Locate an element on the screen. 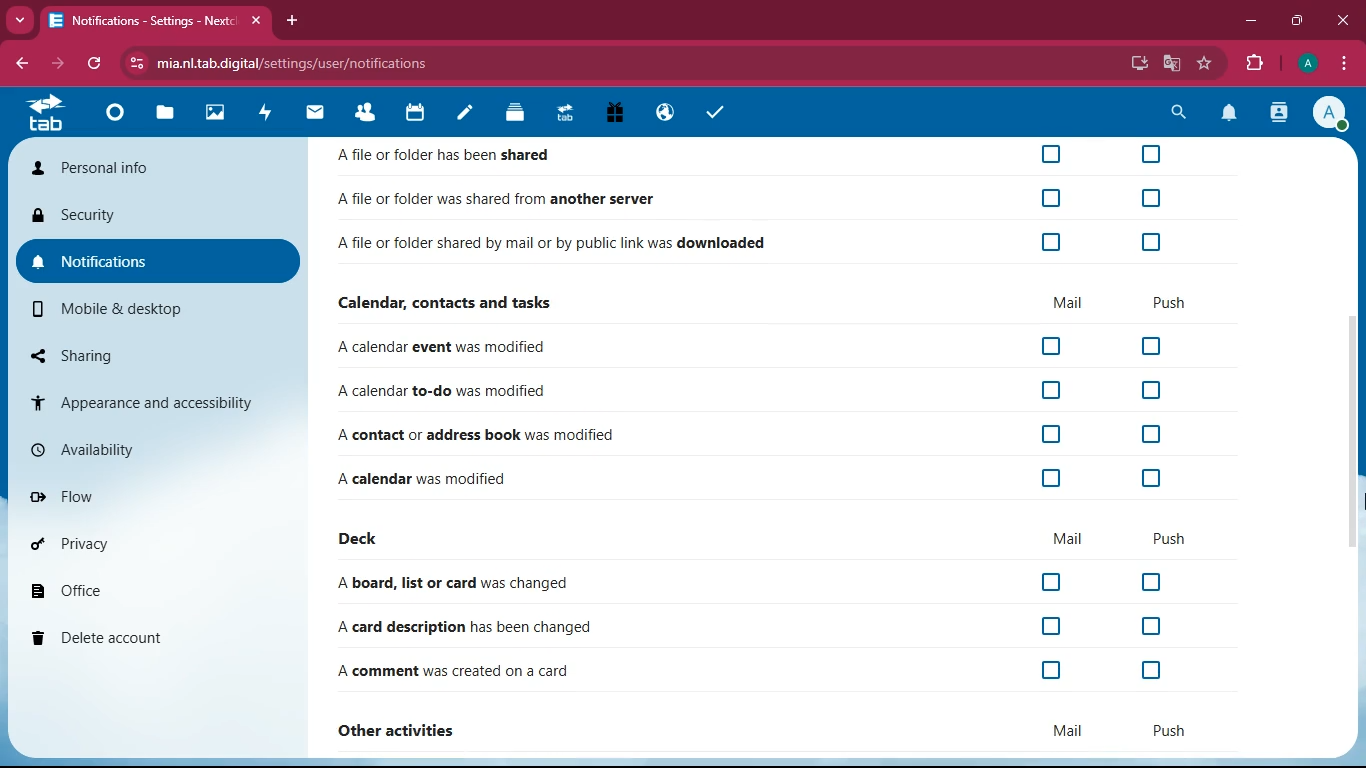 This screenshot has width=1366, height=768. mail is located at coordinates (316, 114).